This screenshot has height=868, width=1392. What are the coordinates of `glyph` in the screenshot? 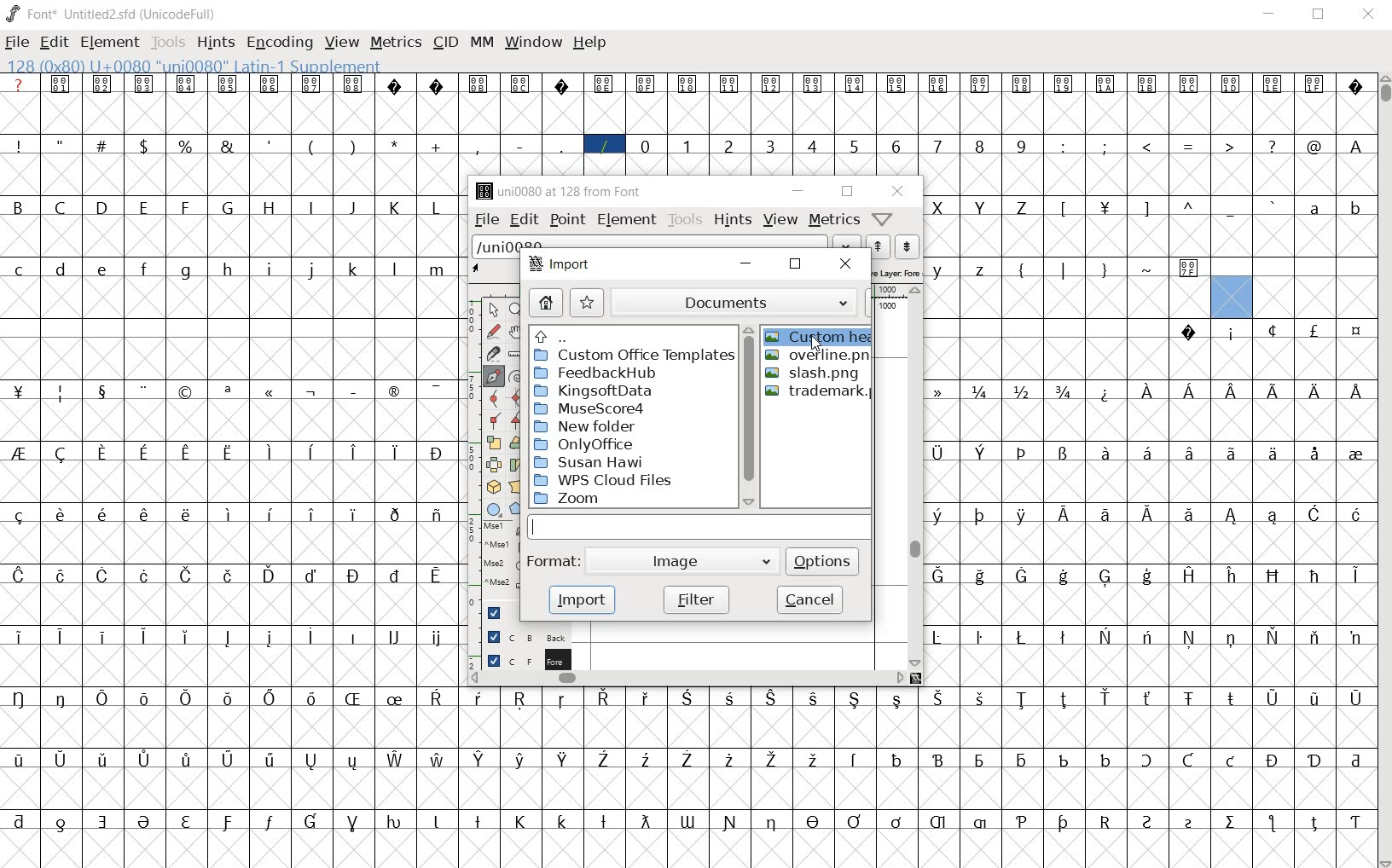 It's located at (187, 514).